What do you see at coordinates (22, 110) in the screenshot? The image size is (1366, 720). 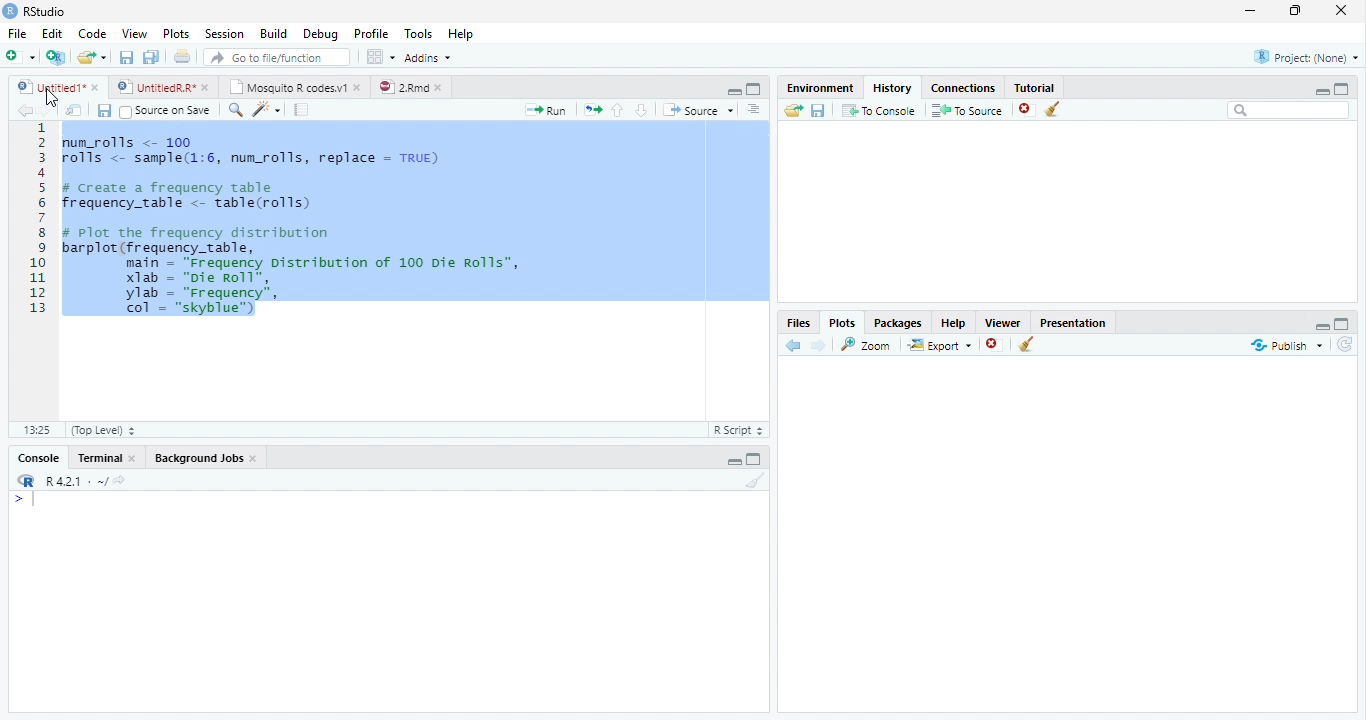 I see `Previous Source Location` at bounding box center [22, 110].